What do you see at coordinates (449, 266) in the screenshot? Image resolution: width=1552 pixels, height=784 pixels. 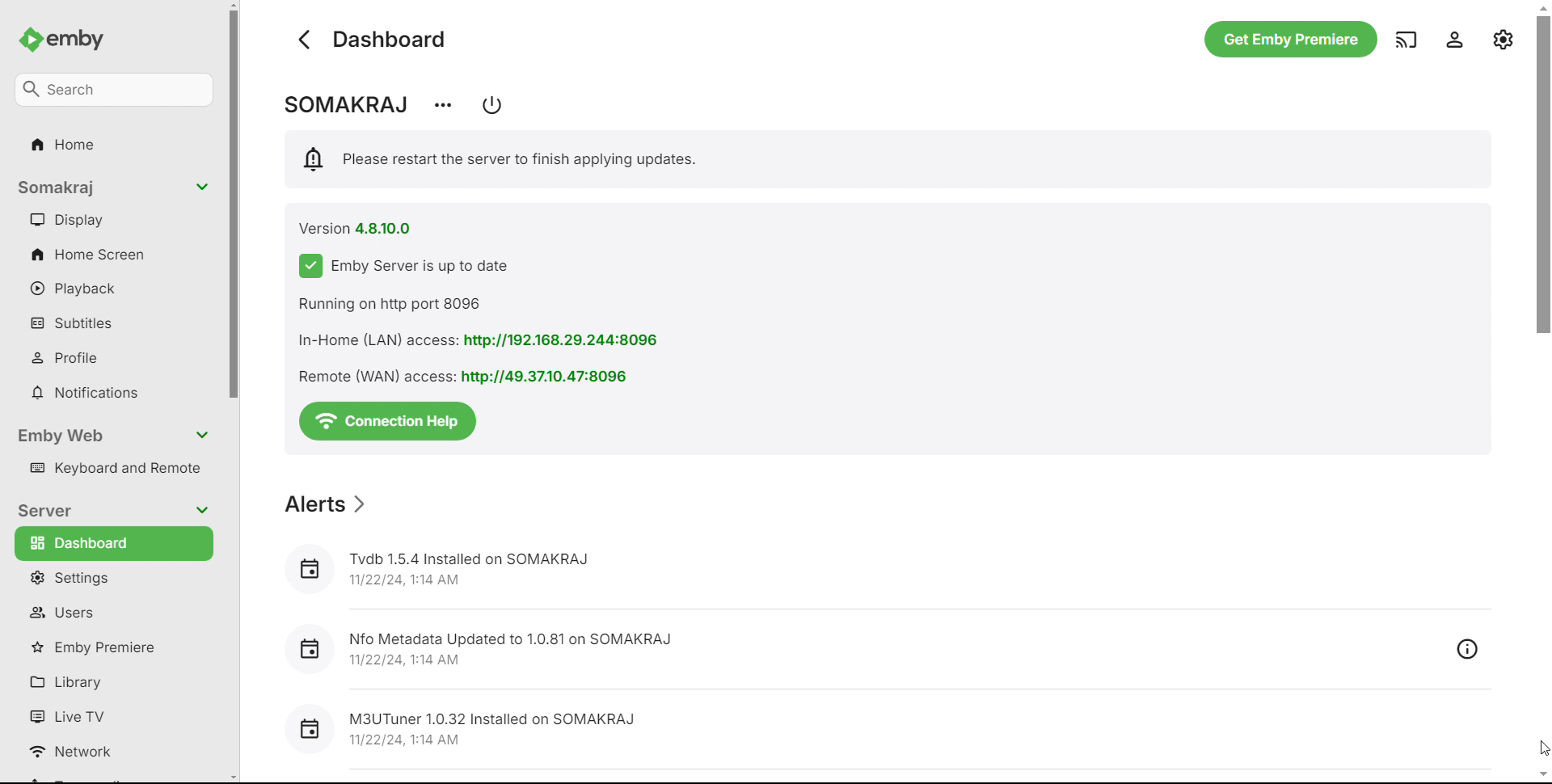 I see `Emby Server is up to date` at bounding box center [449, 266].